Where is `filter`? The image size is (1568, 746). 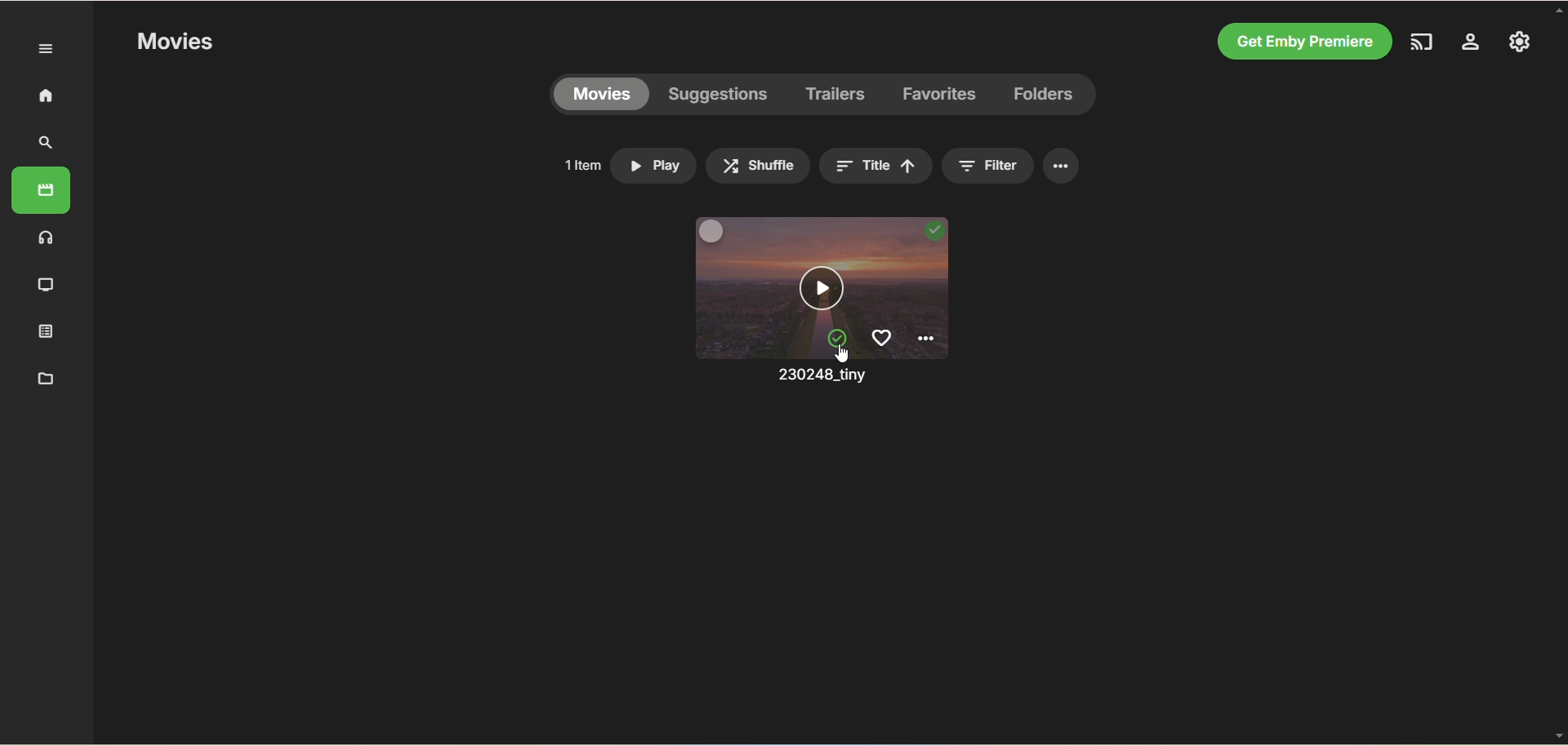
filter is located at coordinates (992, 166).